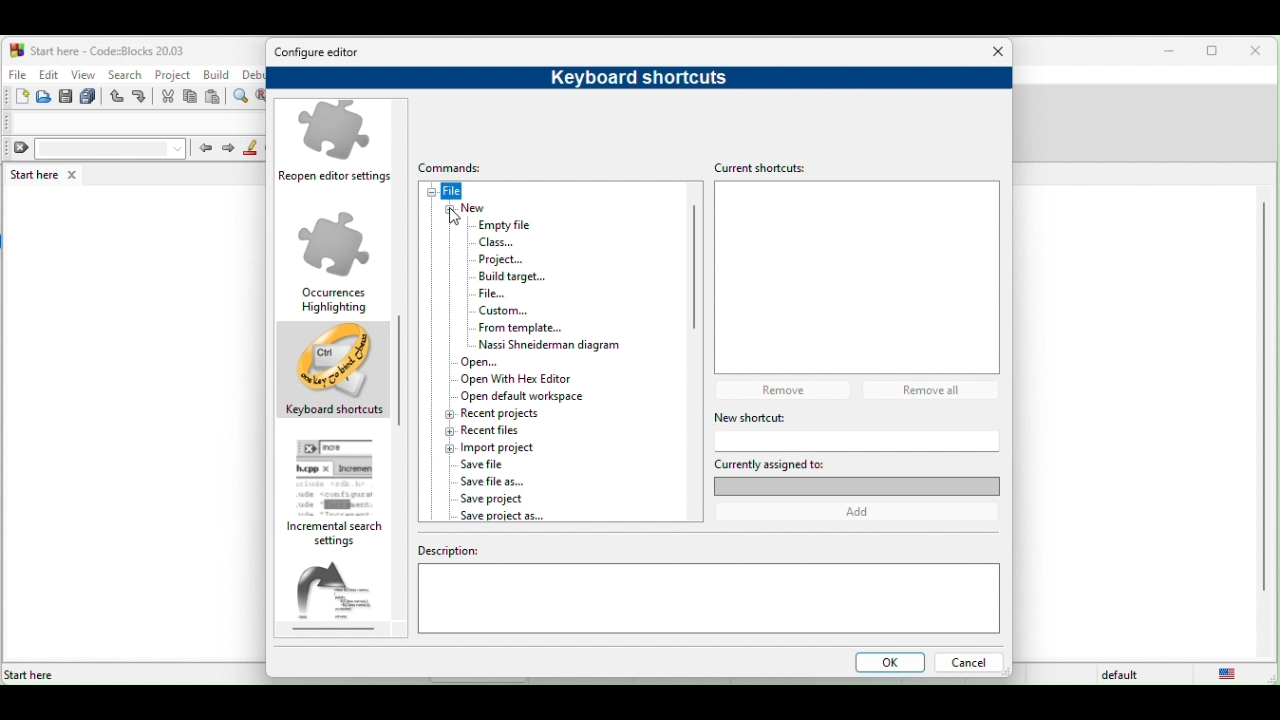 The height and width of the screenshot is (720, 1280). What do you see at coordinates (342, 597) in the screenshot?
I see `abbreviations` at bounding box center [342, 597].